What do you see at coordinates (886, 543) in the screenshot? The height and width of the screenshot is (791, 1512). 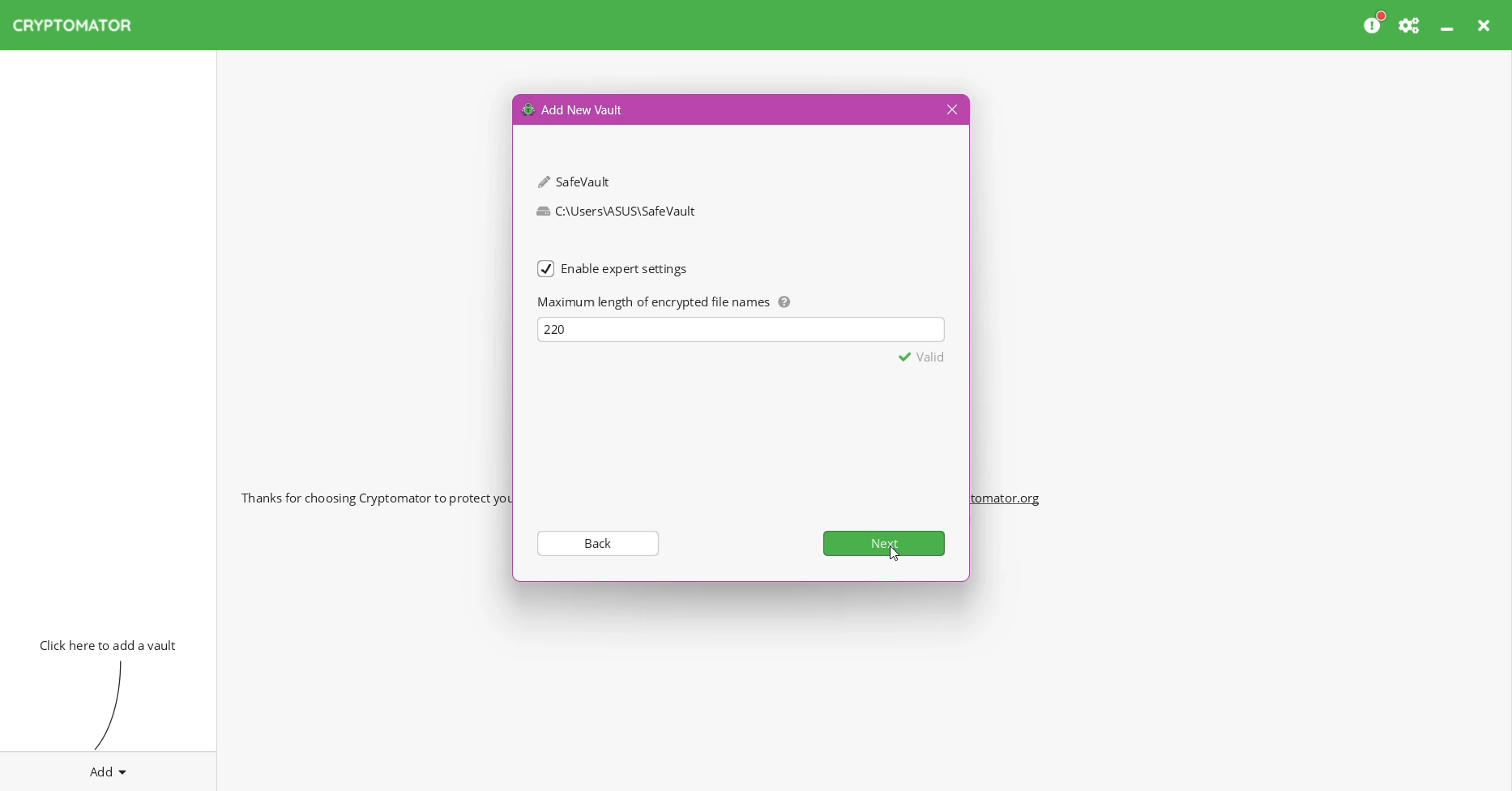 I see `Next` at bounding box center [886, 543].